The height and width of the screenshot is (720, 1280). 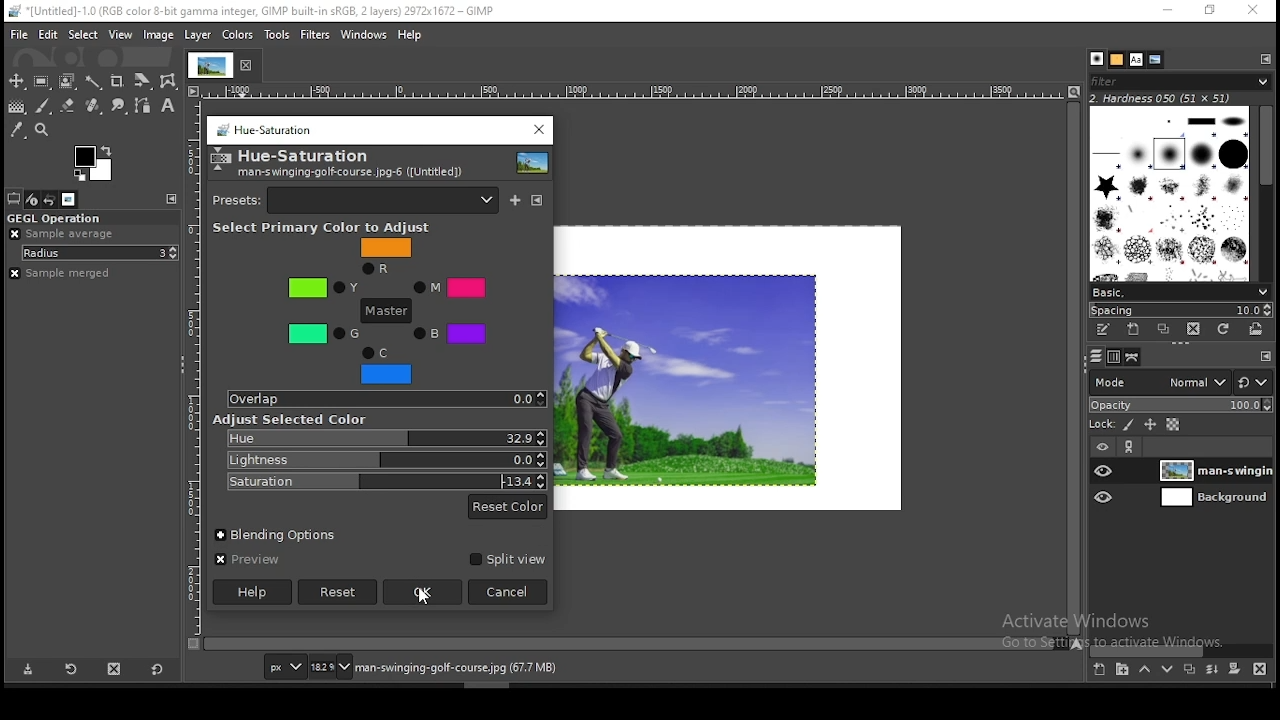 What do you see at coordinates (633, 93) in the screenshot?
I see `horizontal scale` at bounding box center [633, 93].